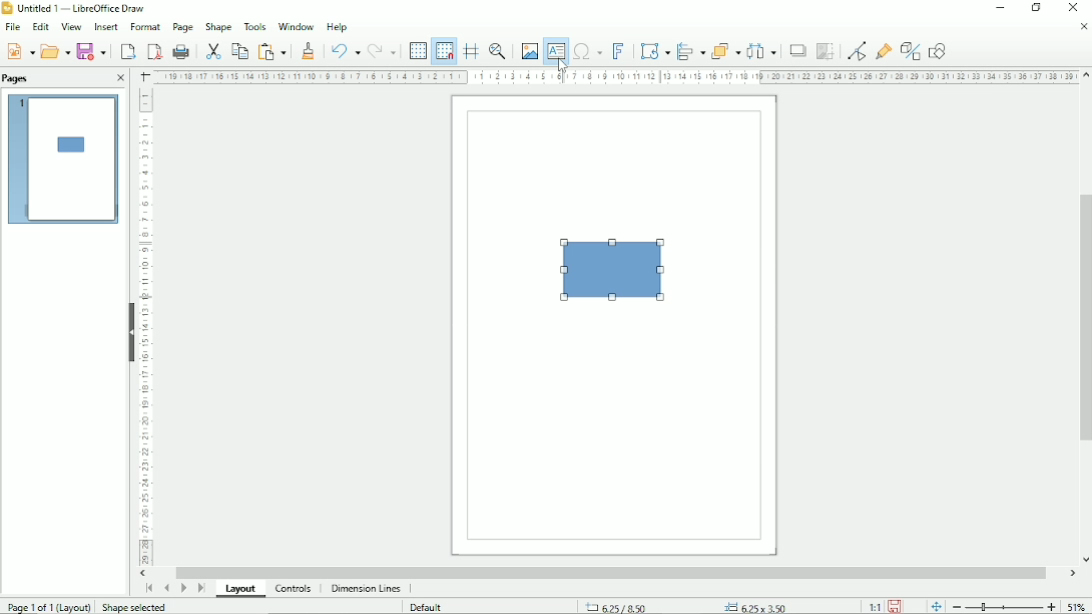  I want to click on 6.25x3.50, so click(755, 605).